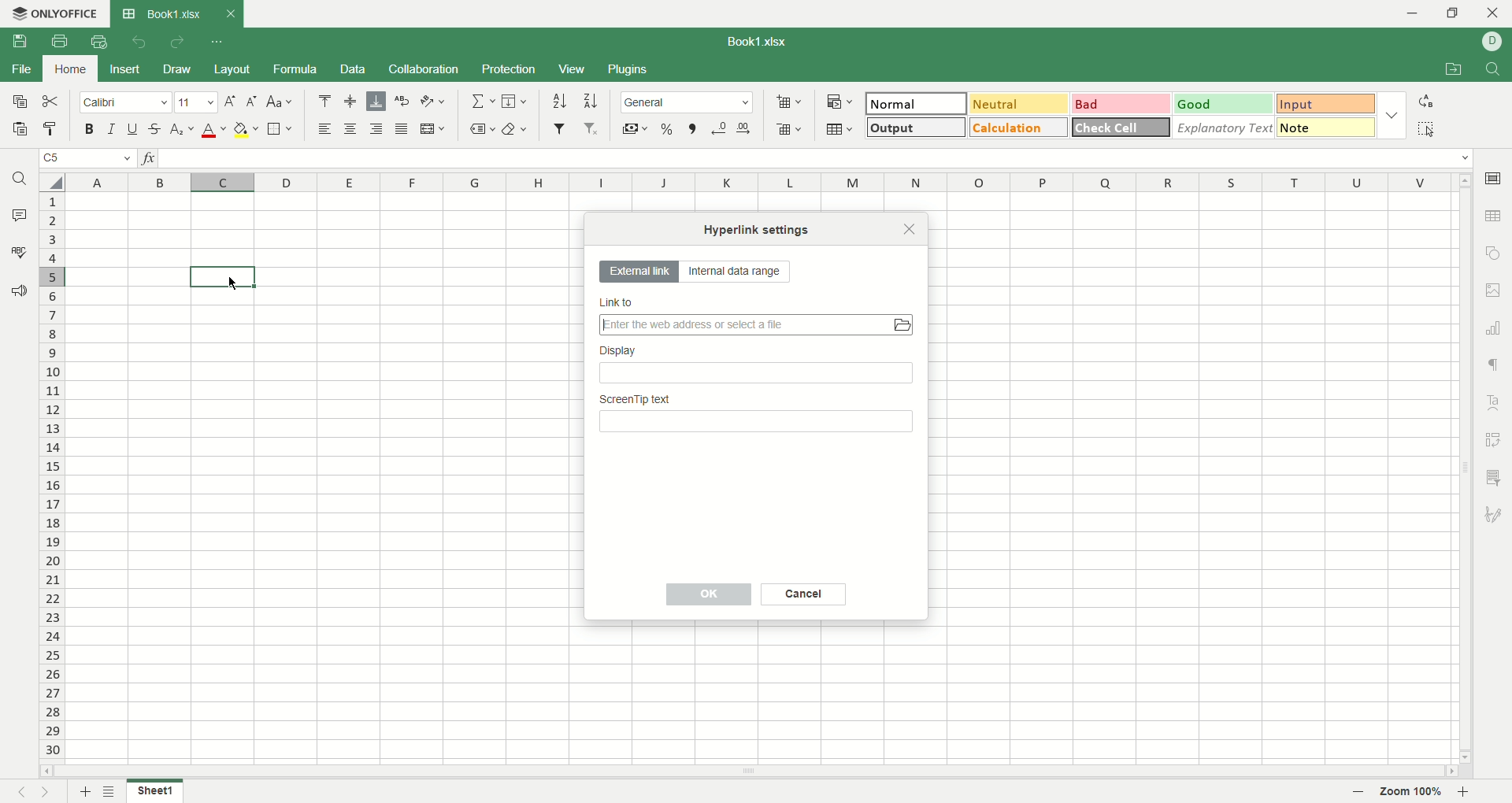  I want to click on column, so click(759, 183).